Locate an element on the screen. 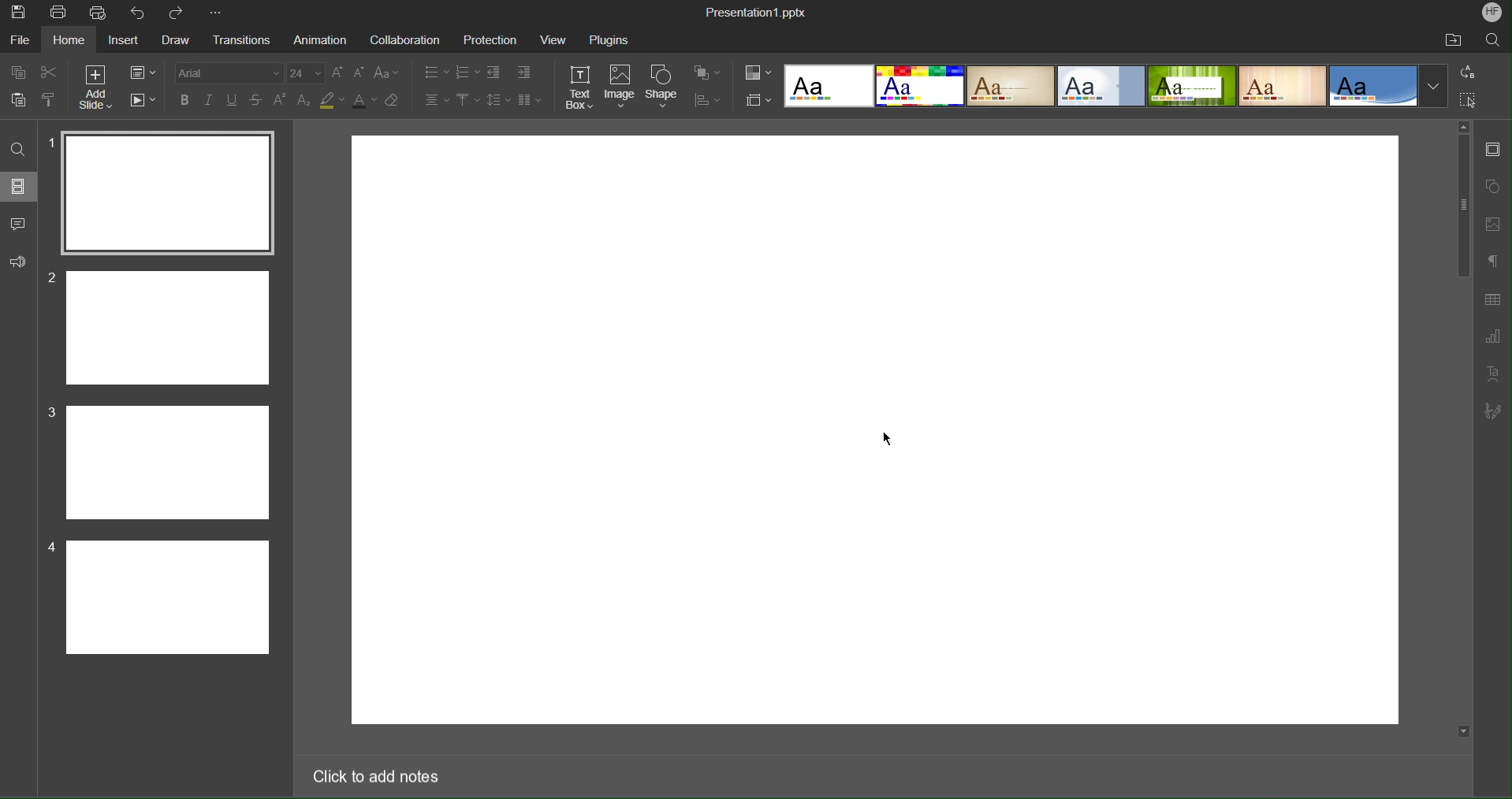  Distribute is located at coordinates (706, 98).